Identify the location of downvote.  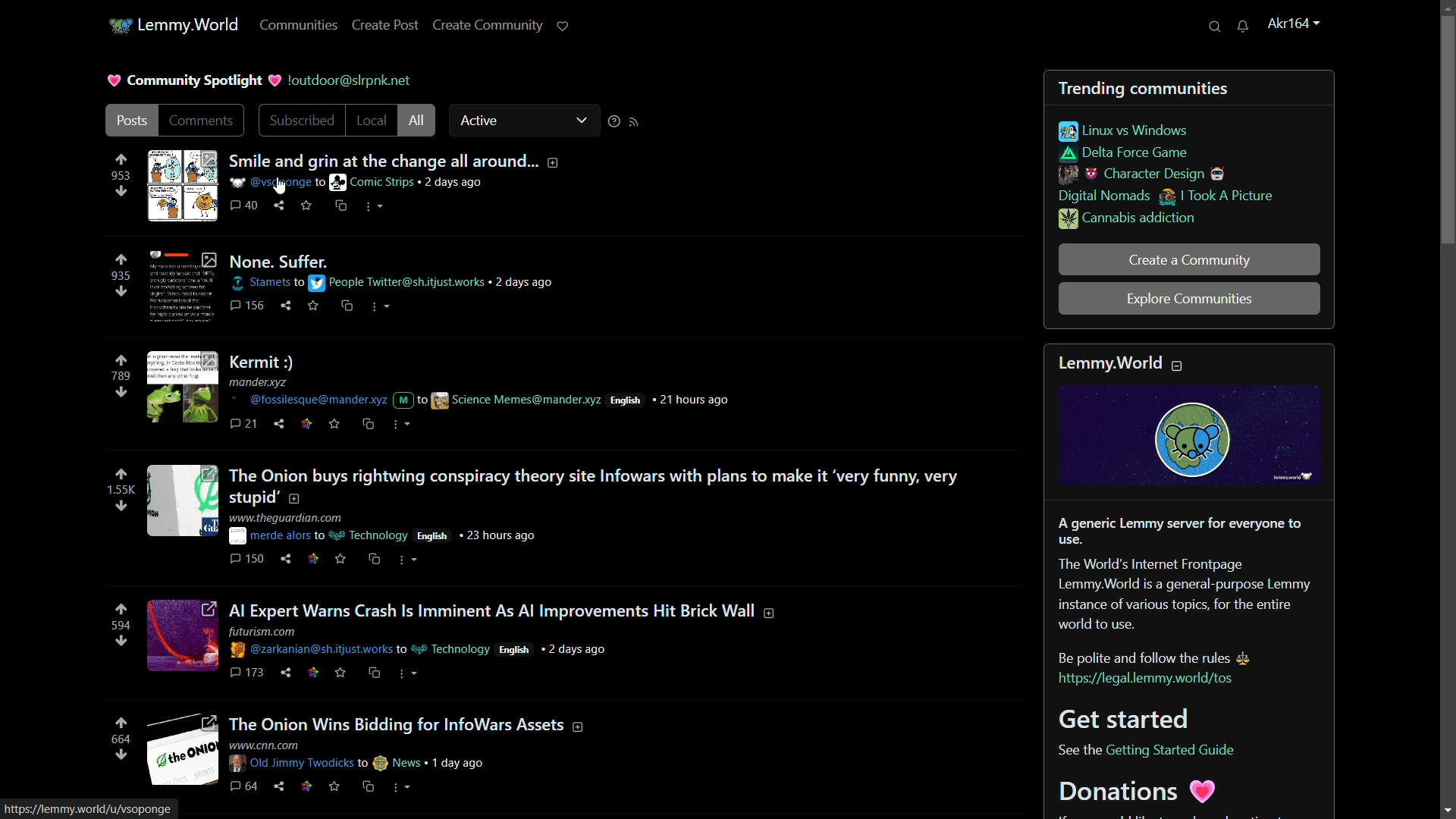
(120, 507).